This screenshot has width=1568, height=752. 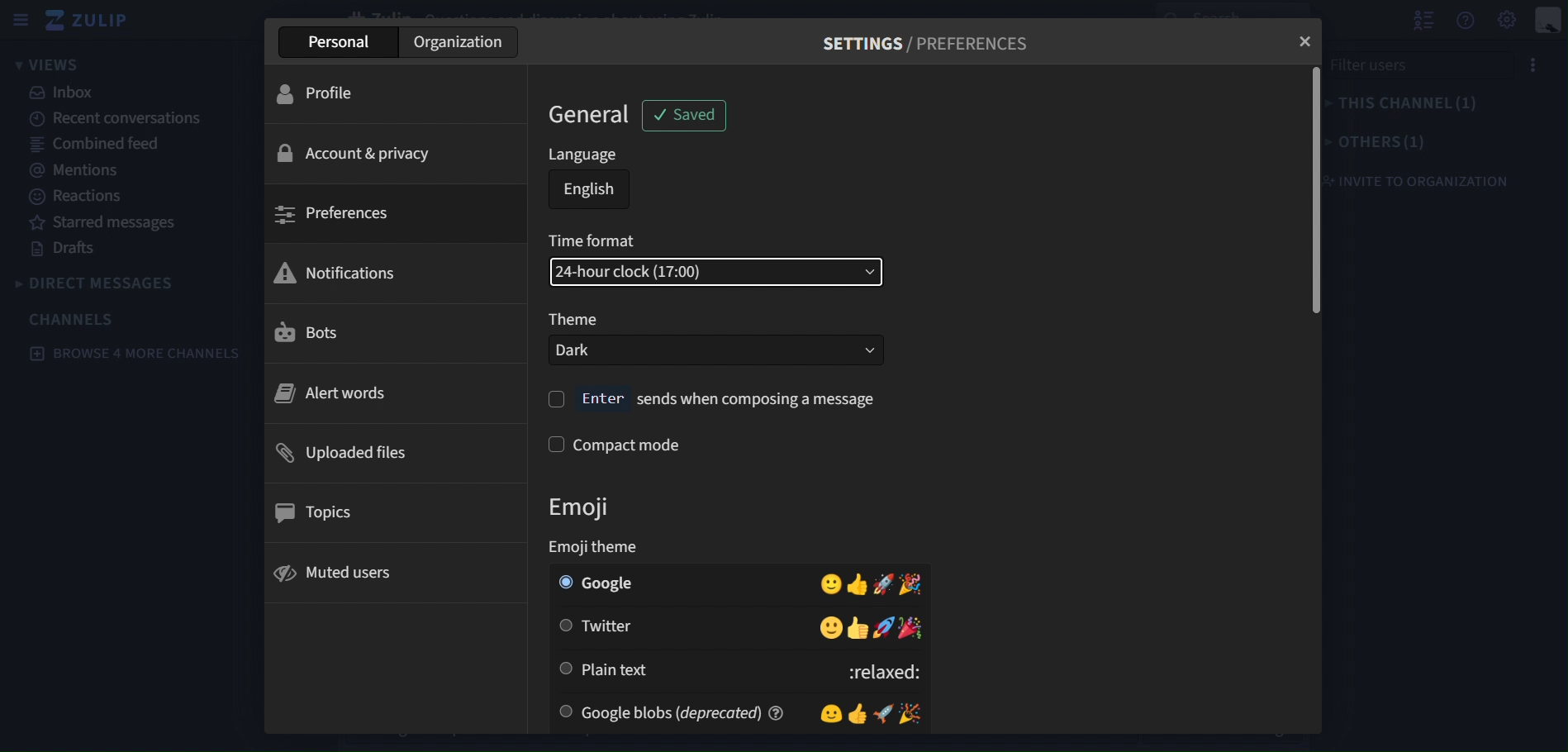 What do you see at coordinates (587, 154) in the screenshot?
I see `language` at bounding box center [587, 154].